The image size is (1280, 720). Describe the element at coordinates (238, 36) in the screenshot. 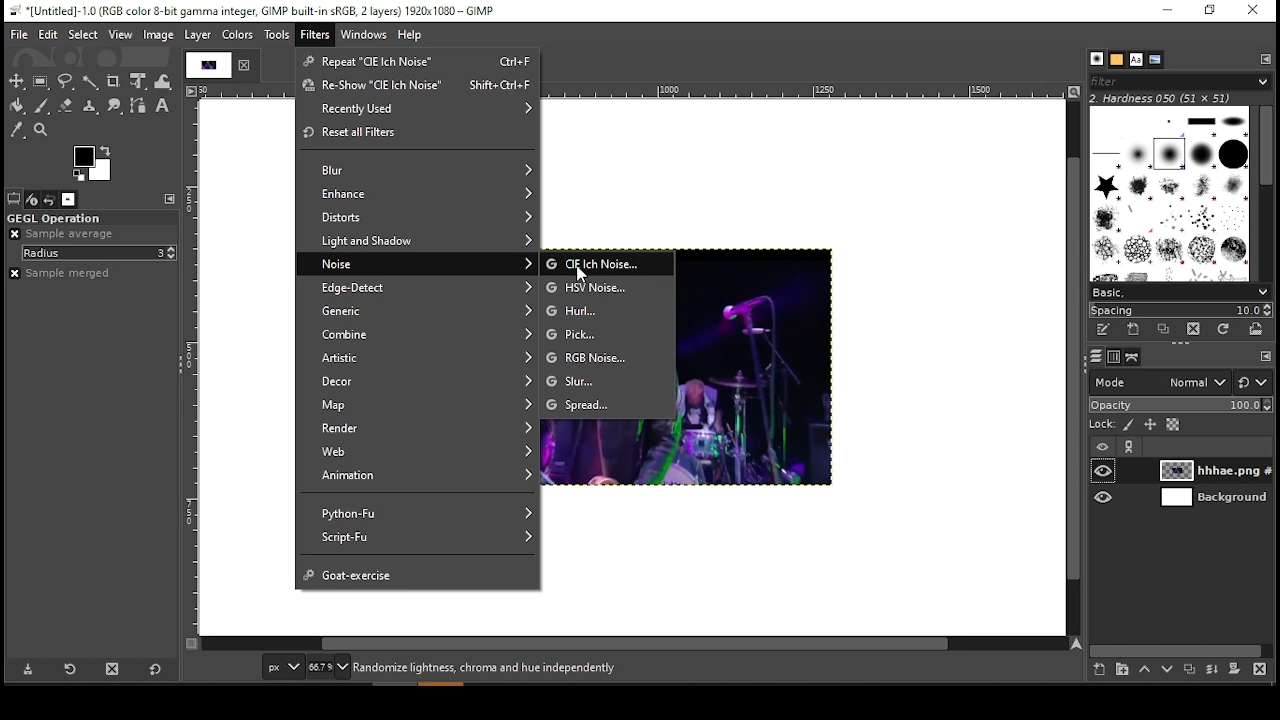

I see `colors` at that location.